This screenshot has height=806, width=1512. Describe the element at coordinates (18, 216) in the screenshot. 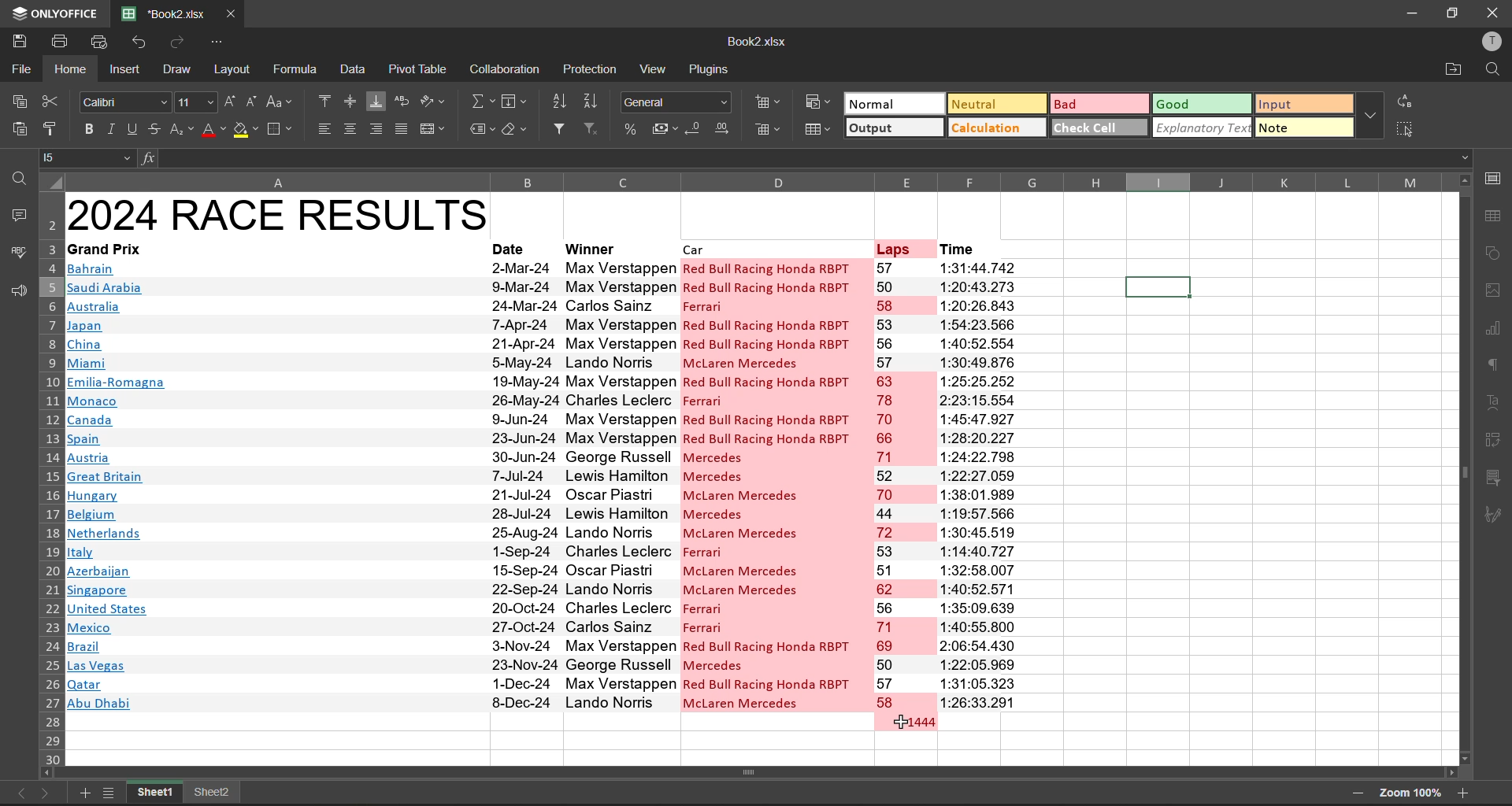

I see `comments` at that location.